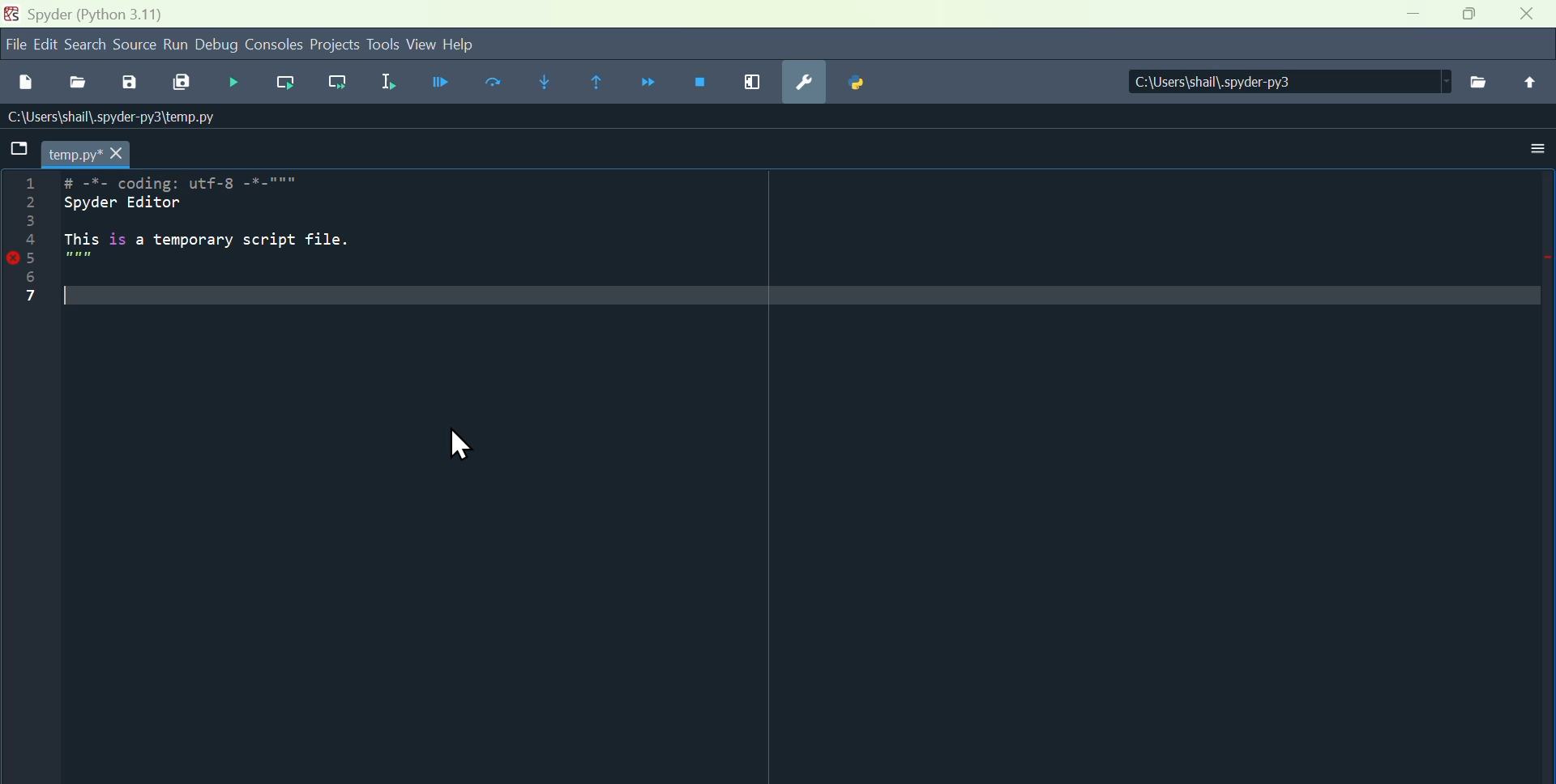  Describe the element at coordinates (232, 246) in the screenshot. I see `w =7= Coding. uLT=o ="-
Spyder Editor
This is a temporary script fi` at that location.